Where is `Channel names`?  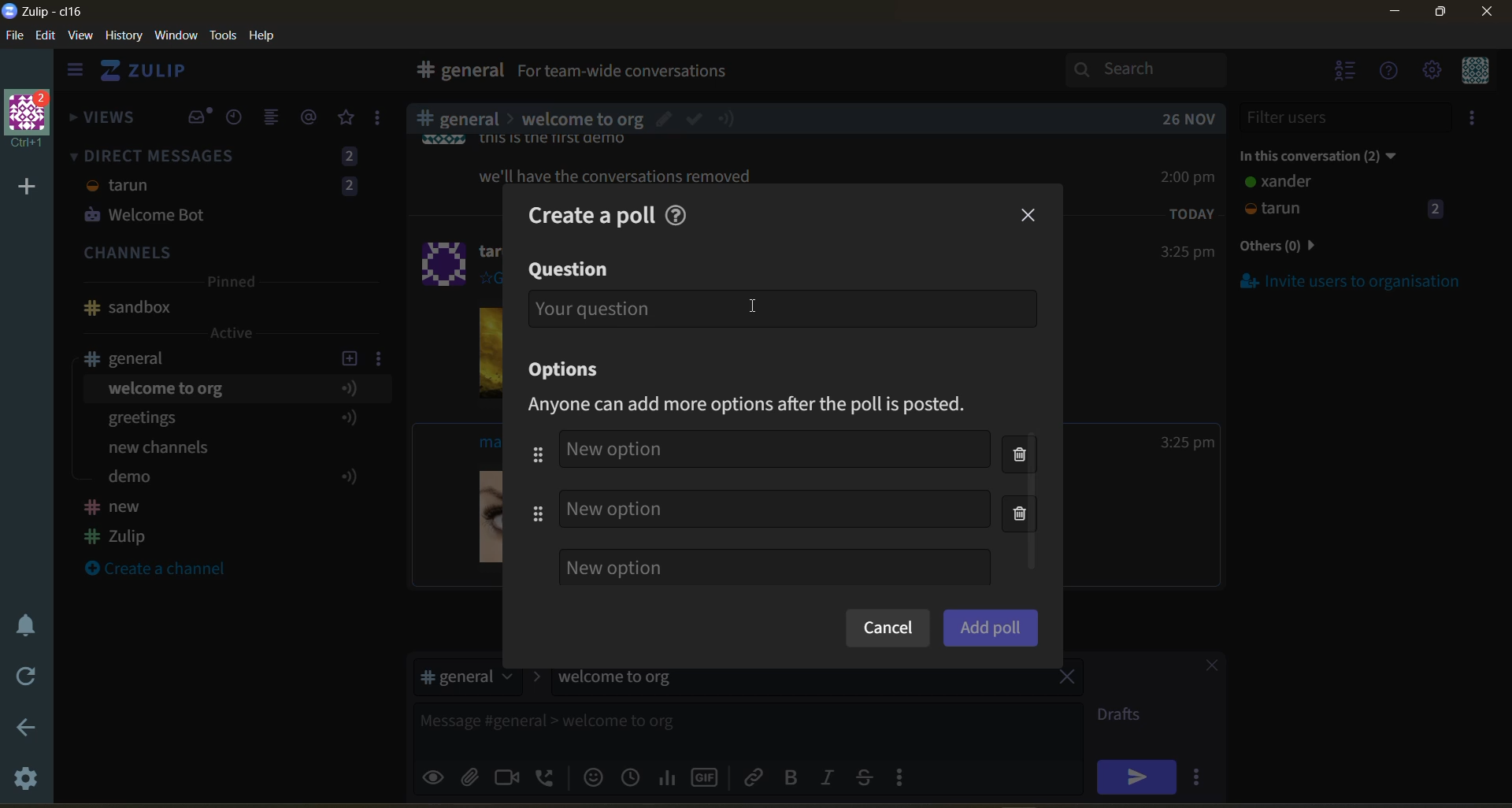
Channel names is located at coordinates (118, 524).